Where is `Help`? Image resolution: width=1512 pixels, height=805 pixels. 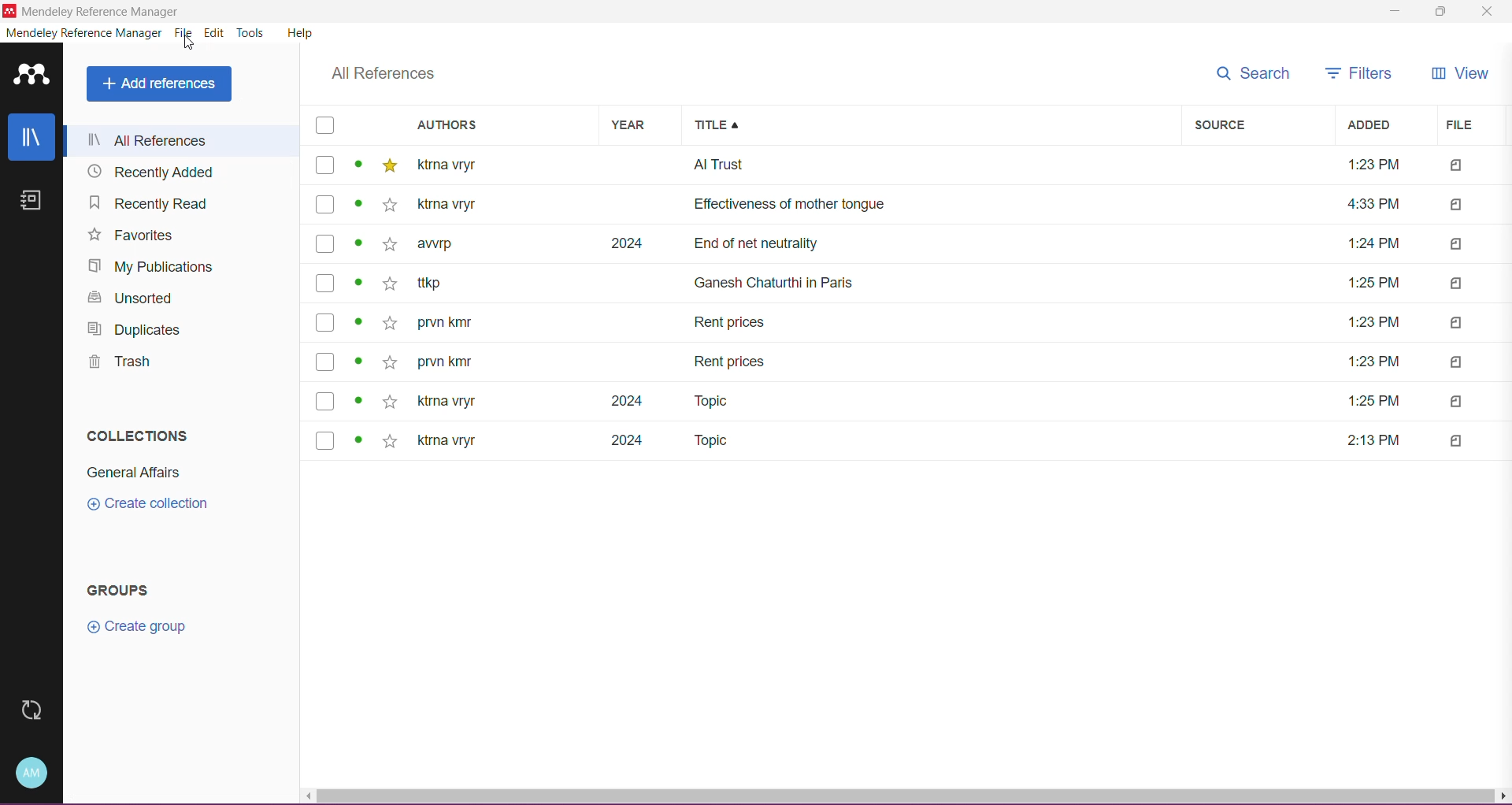
Help is located at coordinates (296, 32).